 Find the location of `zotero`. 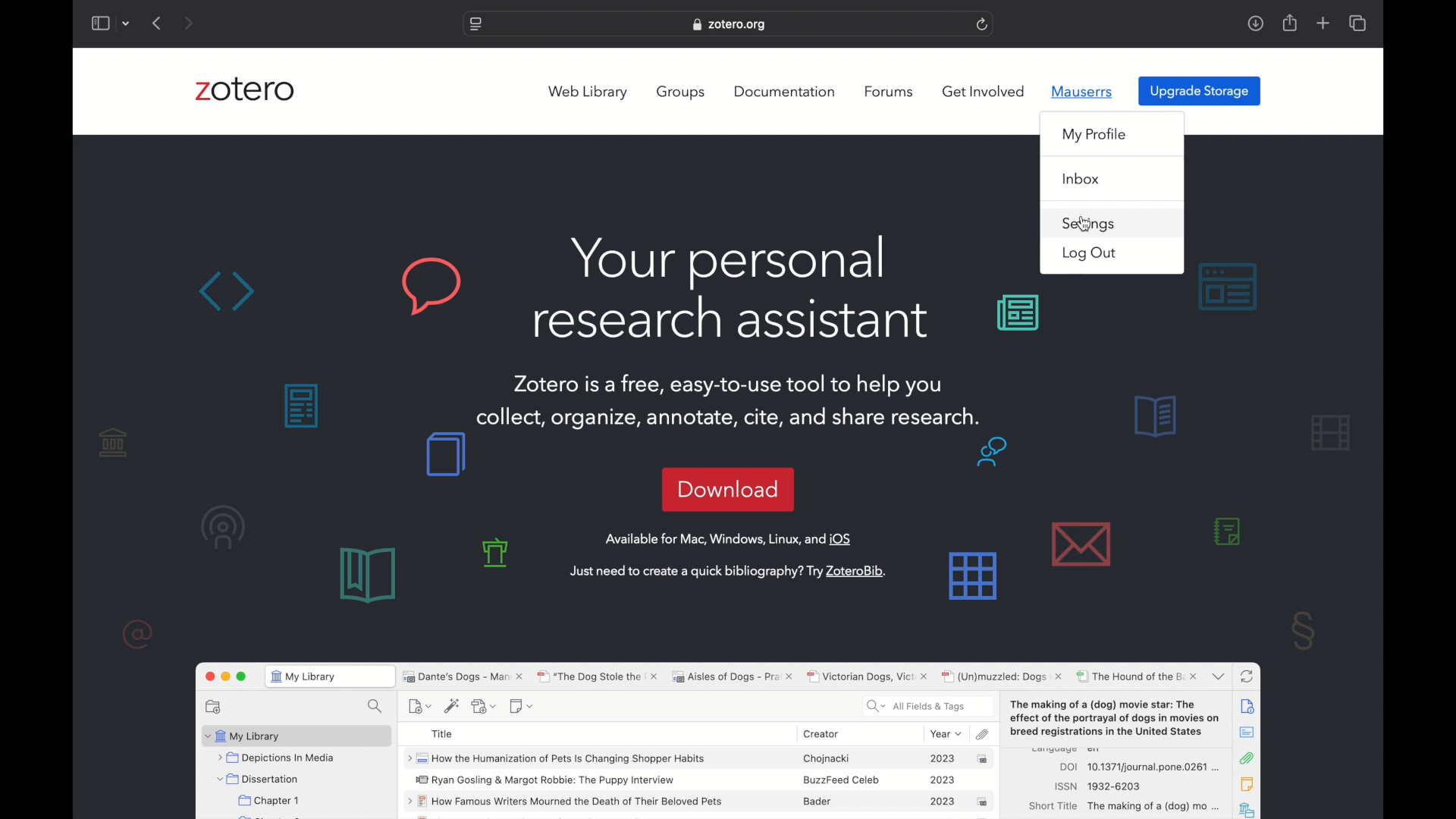

zotero is located at coordinates (245, 89).